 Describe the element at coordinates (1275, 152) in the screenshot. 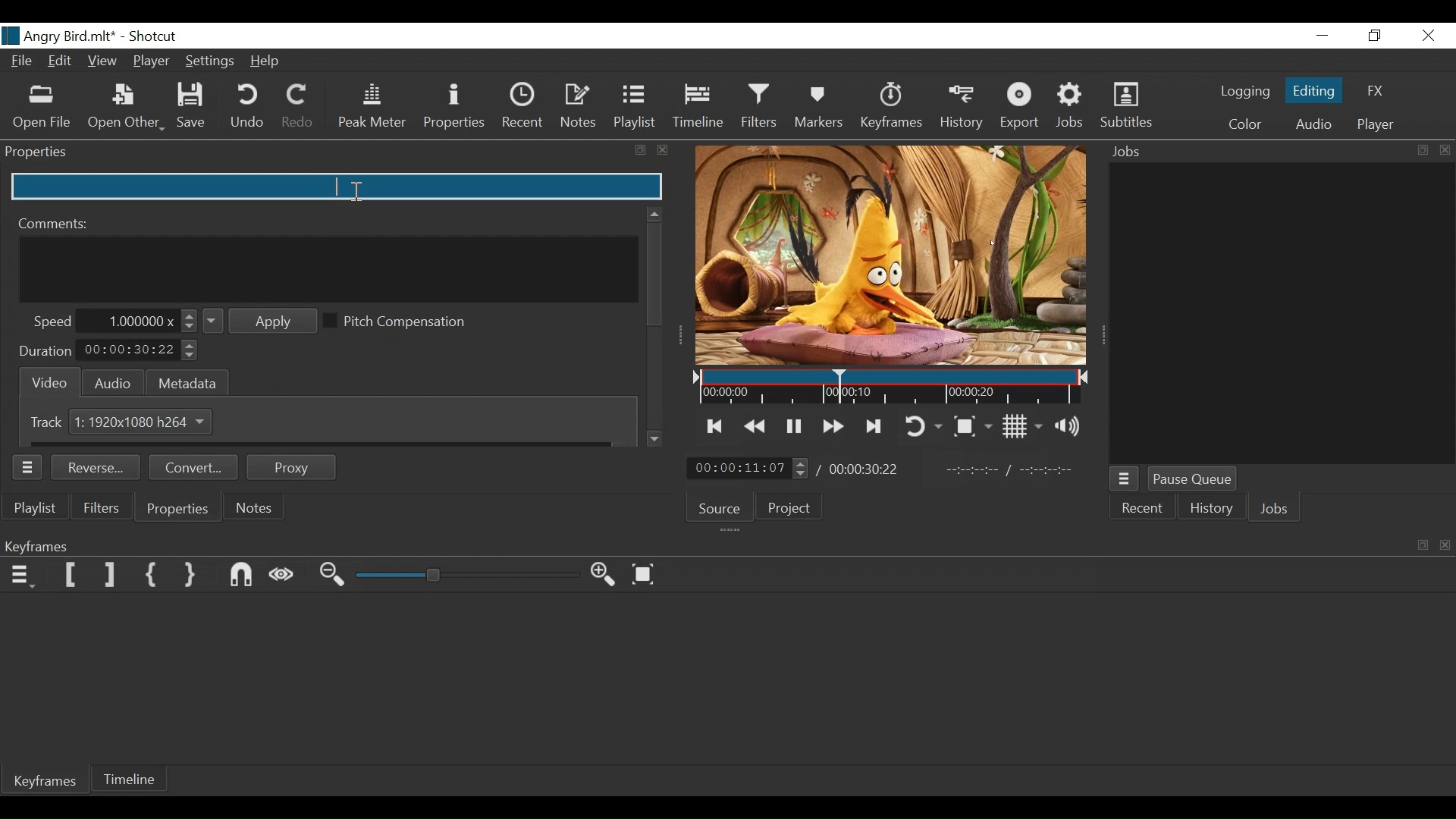

I see `Jobs Panel` at that location.